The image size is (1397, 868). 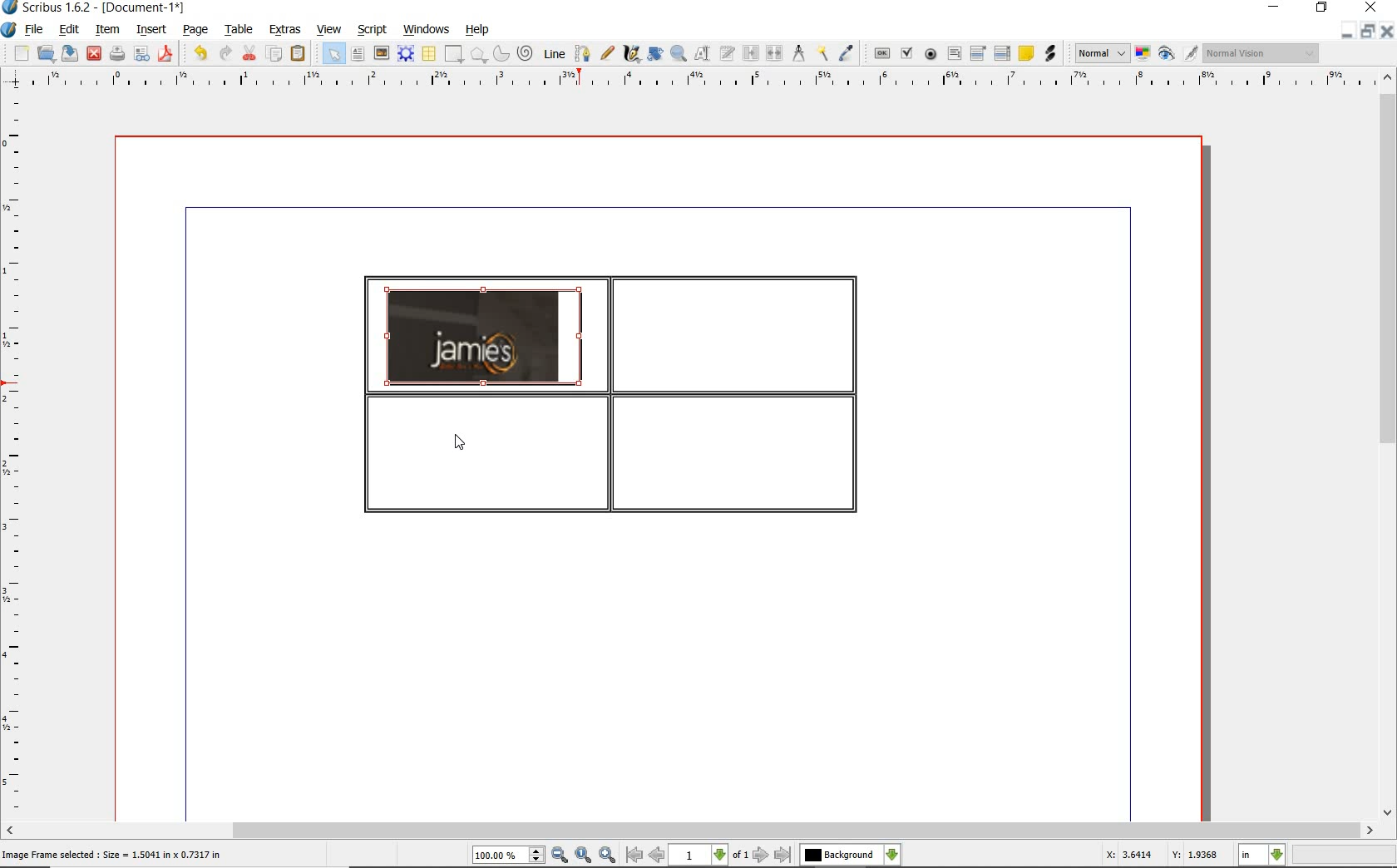 What do you see at coordinates (336, 57) in the screenshot?
I see `select` at bounding box center [336, 57].